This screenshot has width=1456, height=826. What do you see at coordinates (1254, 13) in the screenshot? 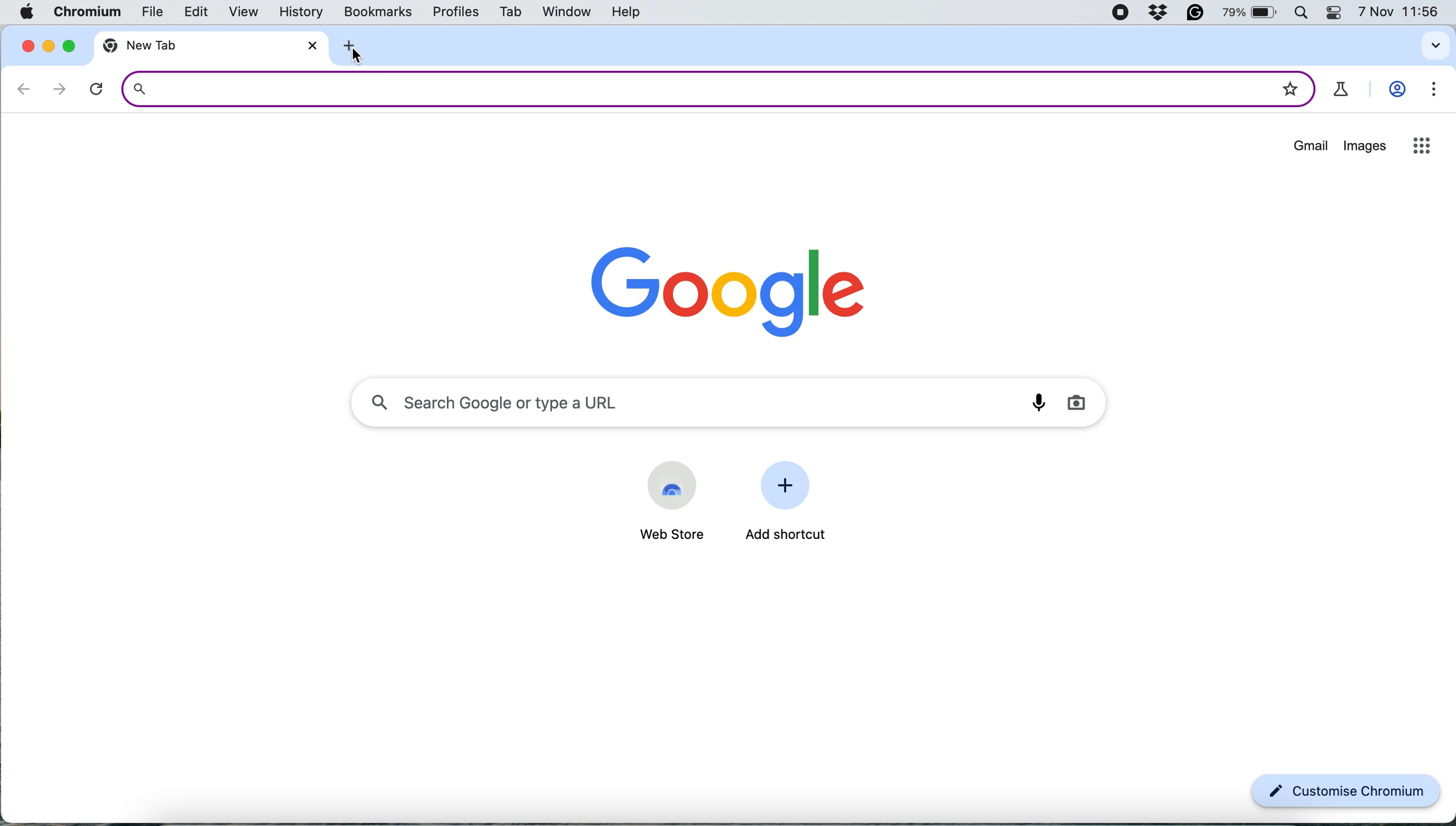
I see `battery` at bounding box center [1254, 13].